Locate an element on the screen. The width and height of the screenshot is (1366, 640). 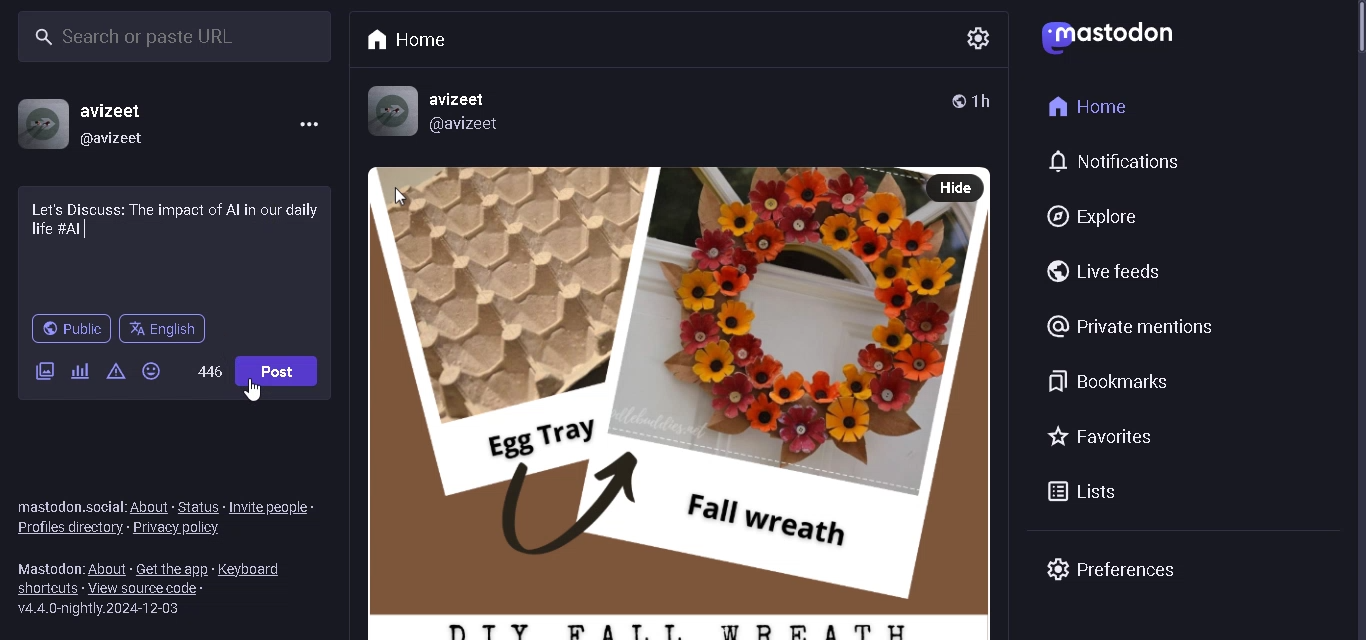
MENU is located at coordinates (305, 127).